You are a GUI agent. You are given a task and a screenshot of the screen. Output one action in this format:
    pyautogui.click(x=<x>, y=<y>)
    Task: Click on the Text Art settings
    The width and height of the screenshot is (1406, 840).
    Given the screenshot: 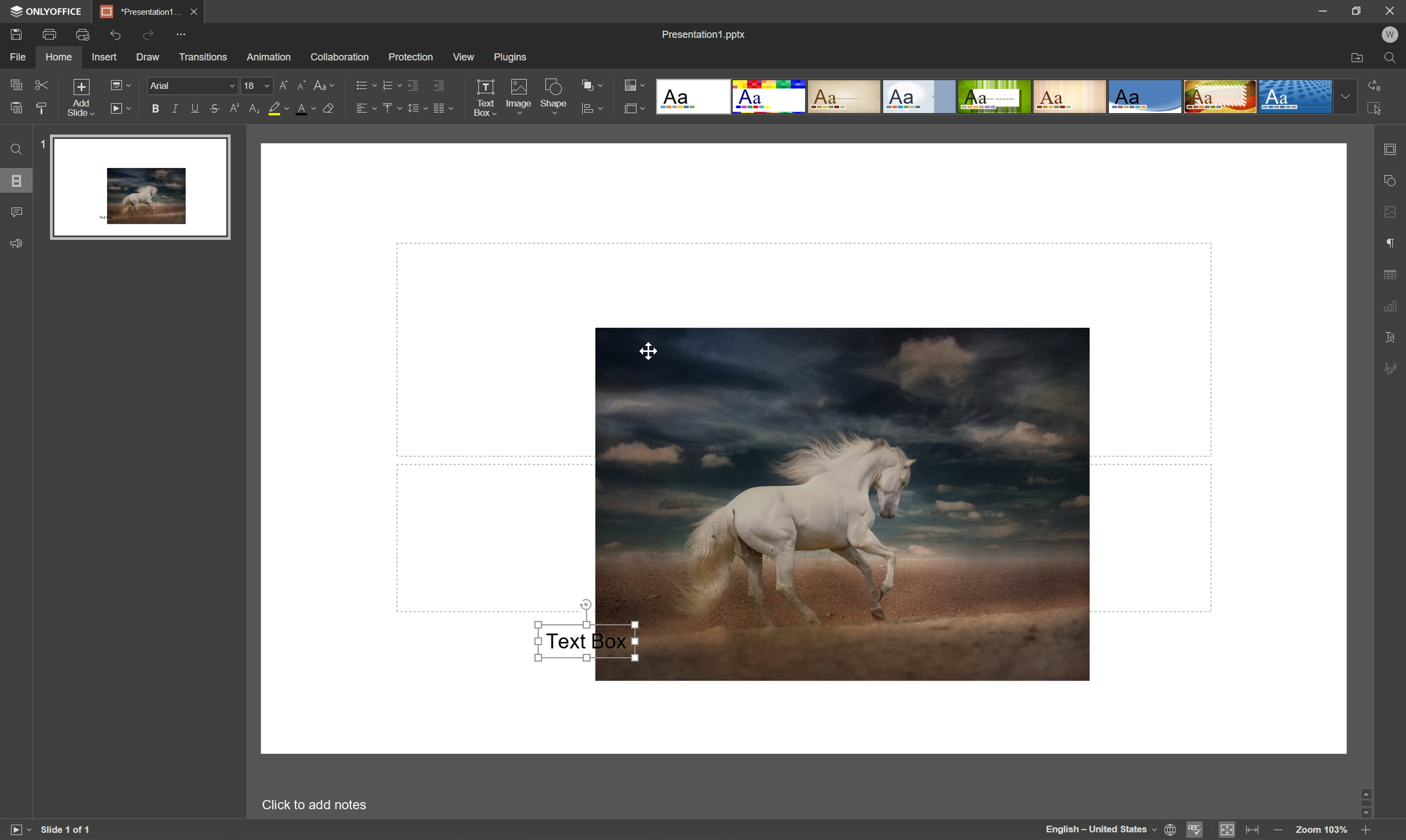 What is the action you would take?
    pyautogui.click(x=1393, y=338)
    